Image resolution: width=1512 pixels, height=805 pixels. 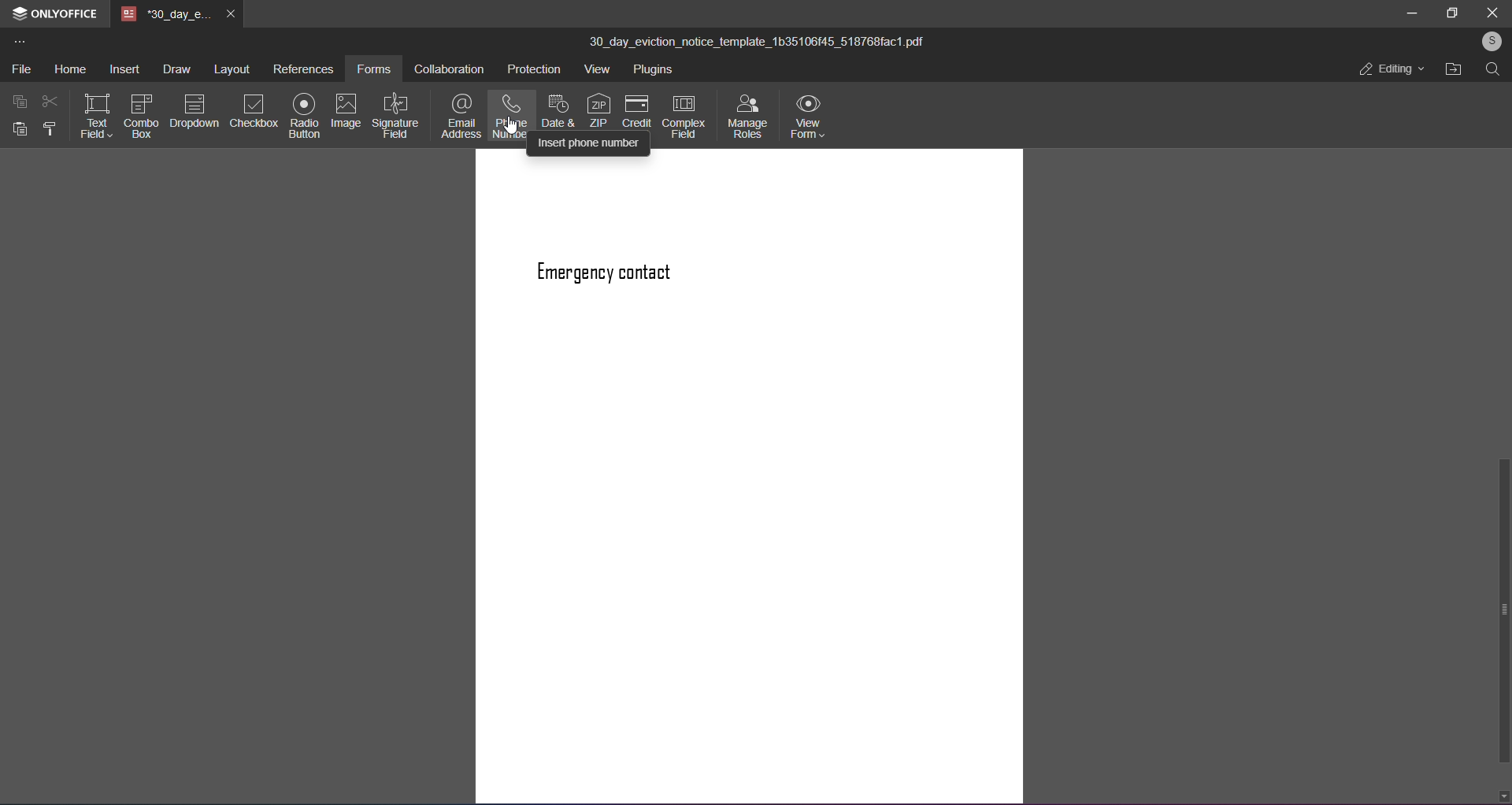 I want to click on references, so click(x=302, y=71).